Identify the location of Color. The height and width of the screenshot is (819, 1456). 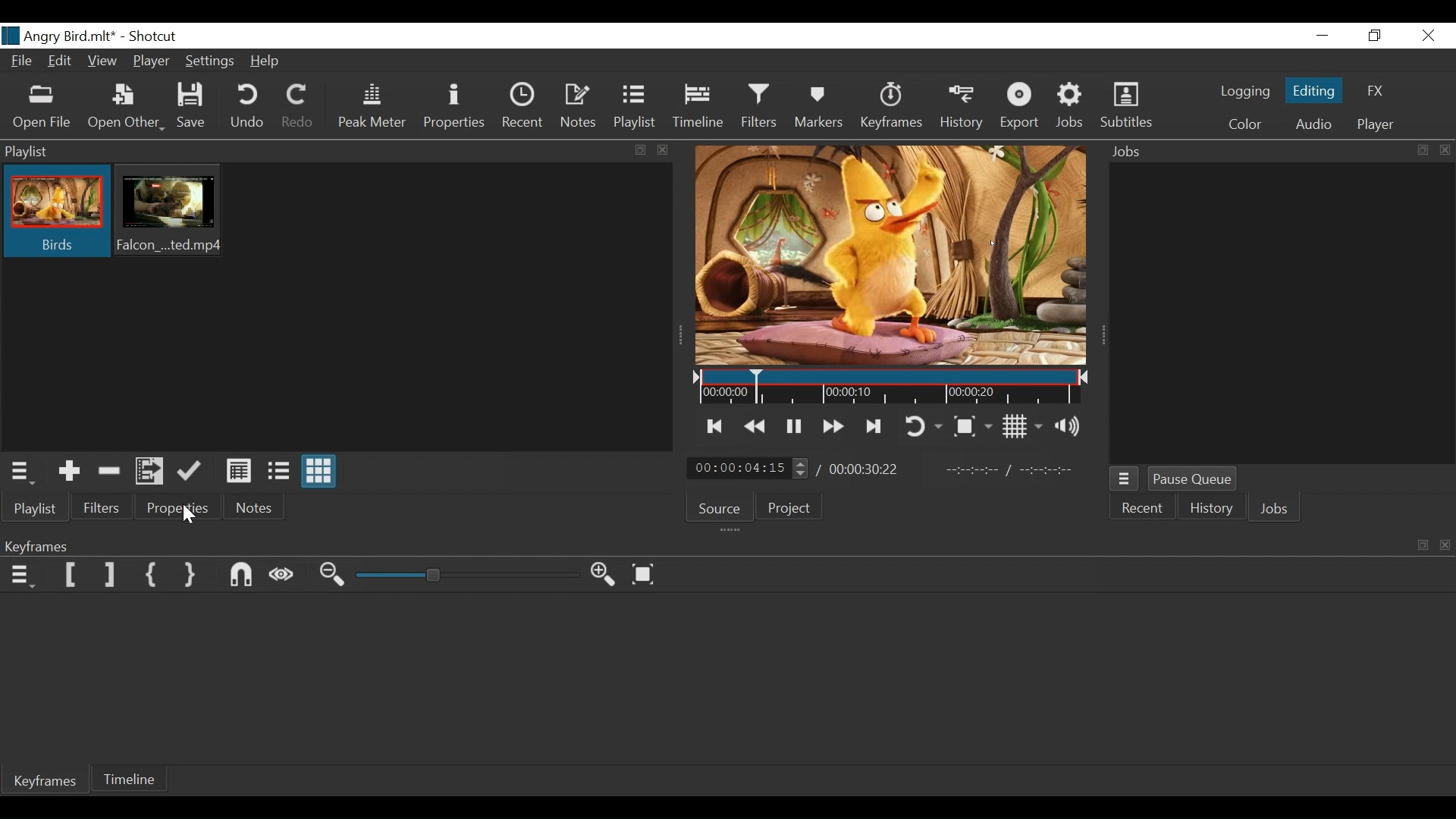
(1244, 124).